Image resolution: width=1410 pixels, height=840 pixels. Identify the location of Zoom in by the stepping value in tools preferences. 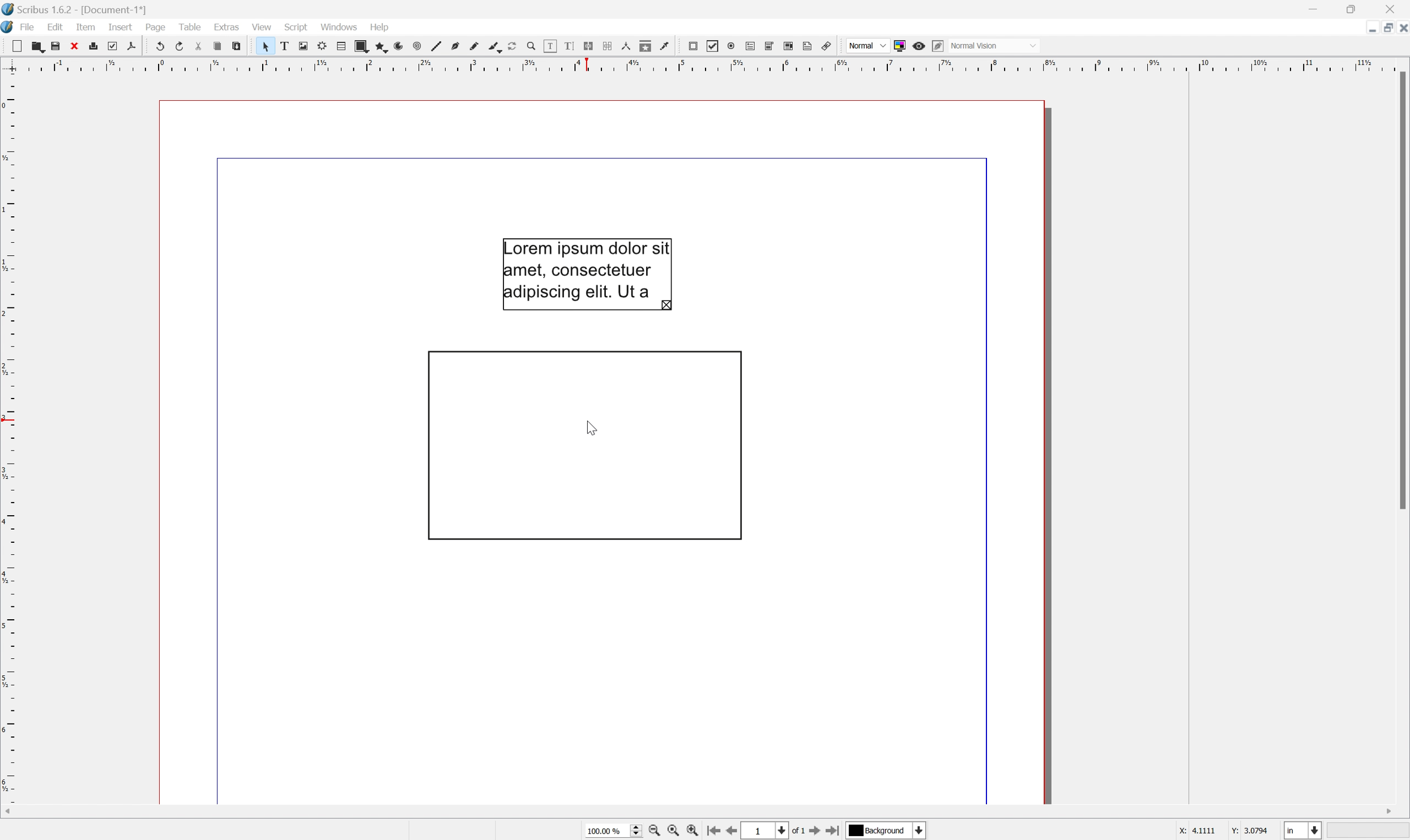
(698, 831).